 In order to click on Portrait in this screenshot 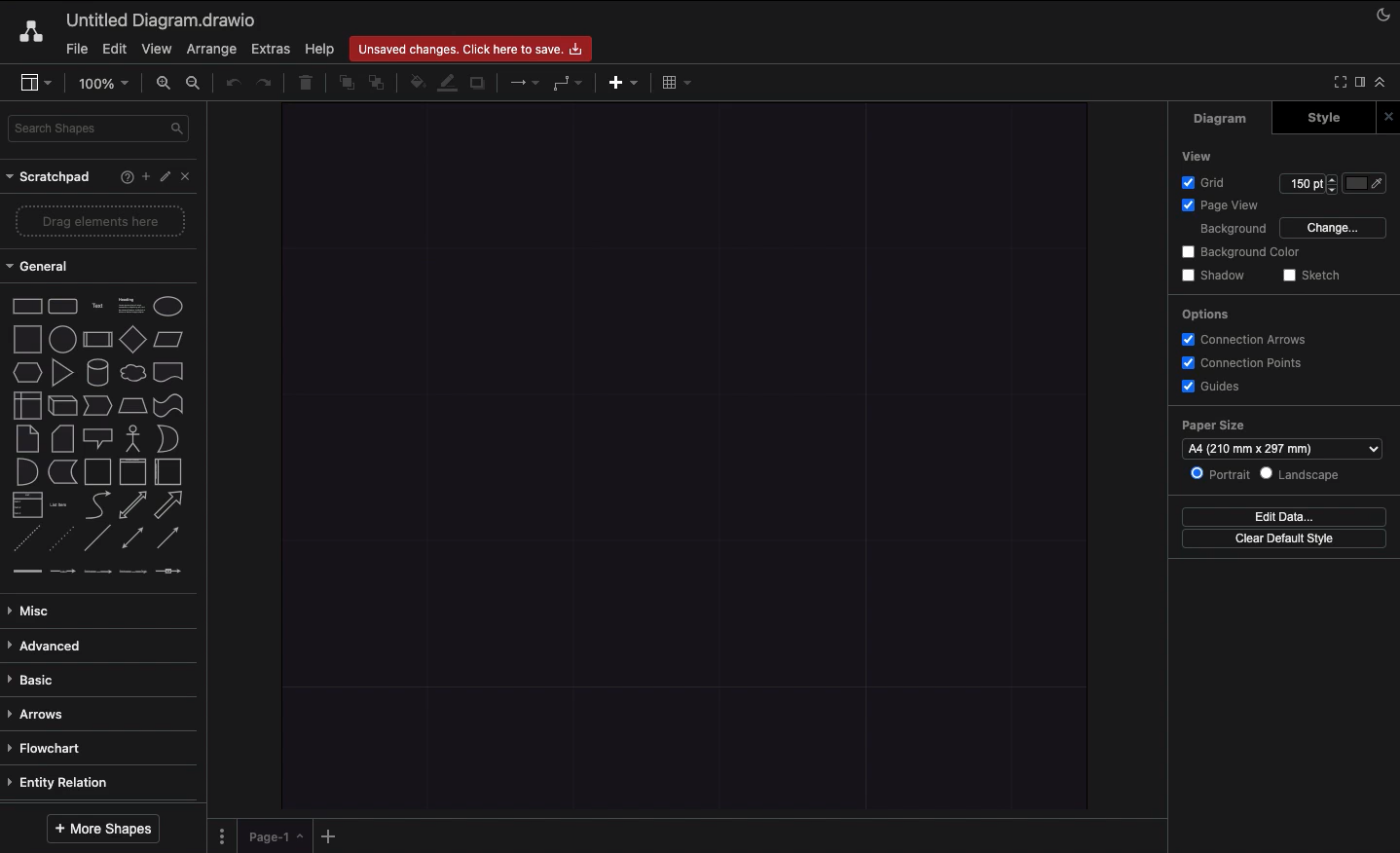, I will do `click(1222, 475)`.